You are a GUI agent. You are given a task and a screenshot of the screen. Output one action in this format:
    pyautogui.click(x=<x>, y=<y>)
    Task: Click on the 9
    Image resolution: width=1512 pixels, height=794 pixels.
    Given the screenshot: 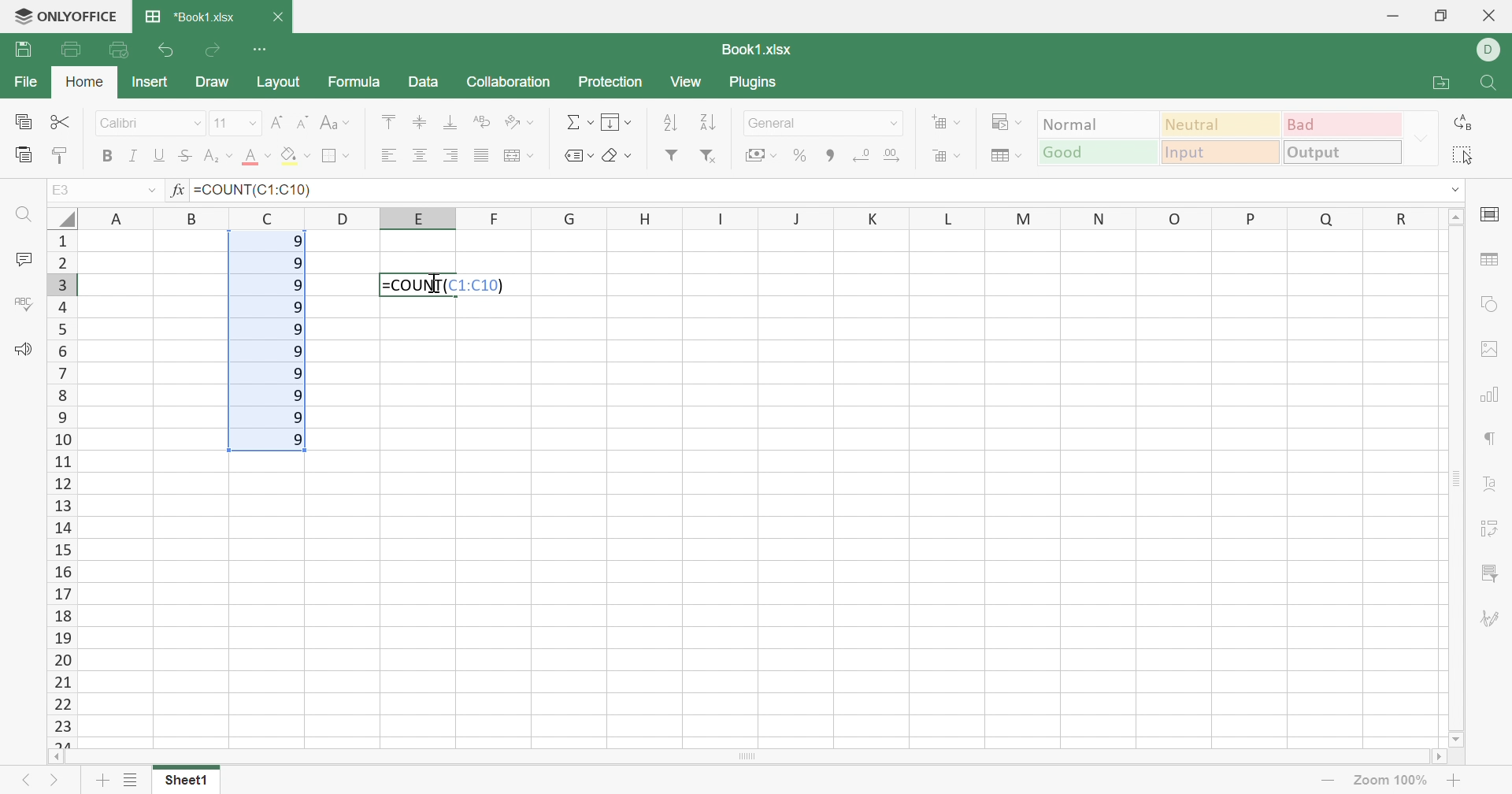 What is the action you would take?
    pyautogui.click(x=297, y=262)
    